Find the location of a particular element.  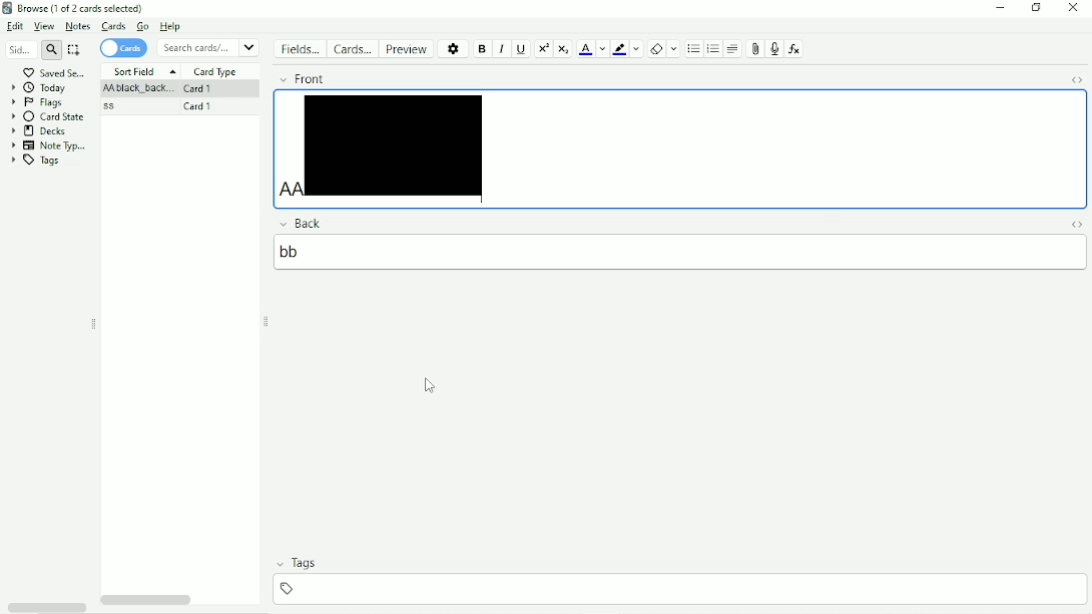

Notes is located at coordinates (78, 27).